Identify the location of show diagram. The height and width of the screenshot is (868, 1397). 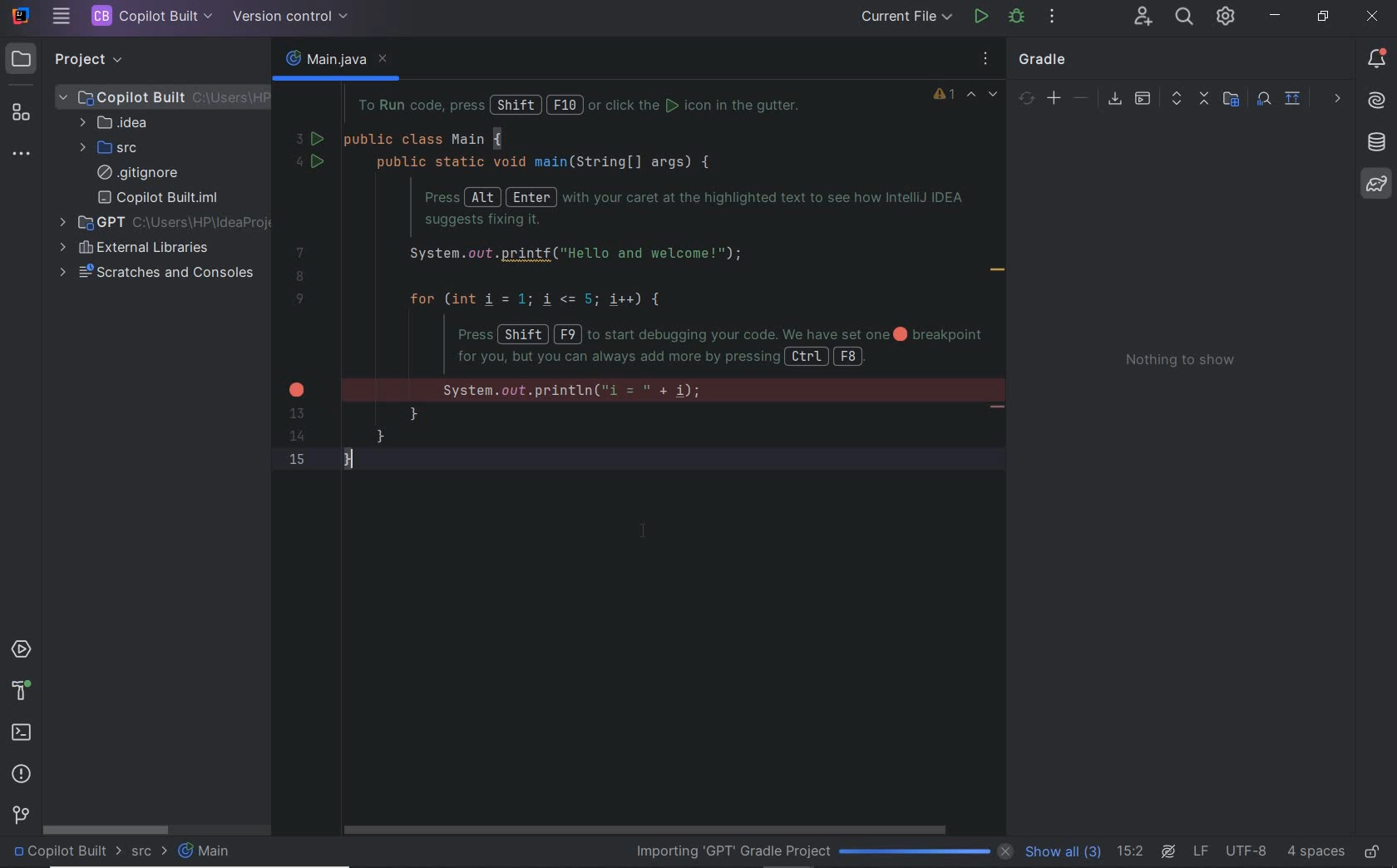
(1294, 99).